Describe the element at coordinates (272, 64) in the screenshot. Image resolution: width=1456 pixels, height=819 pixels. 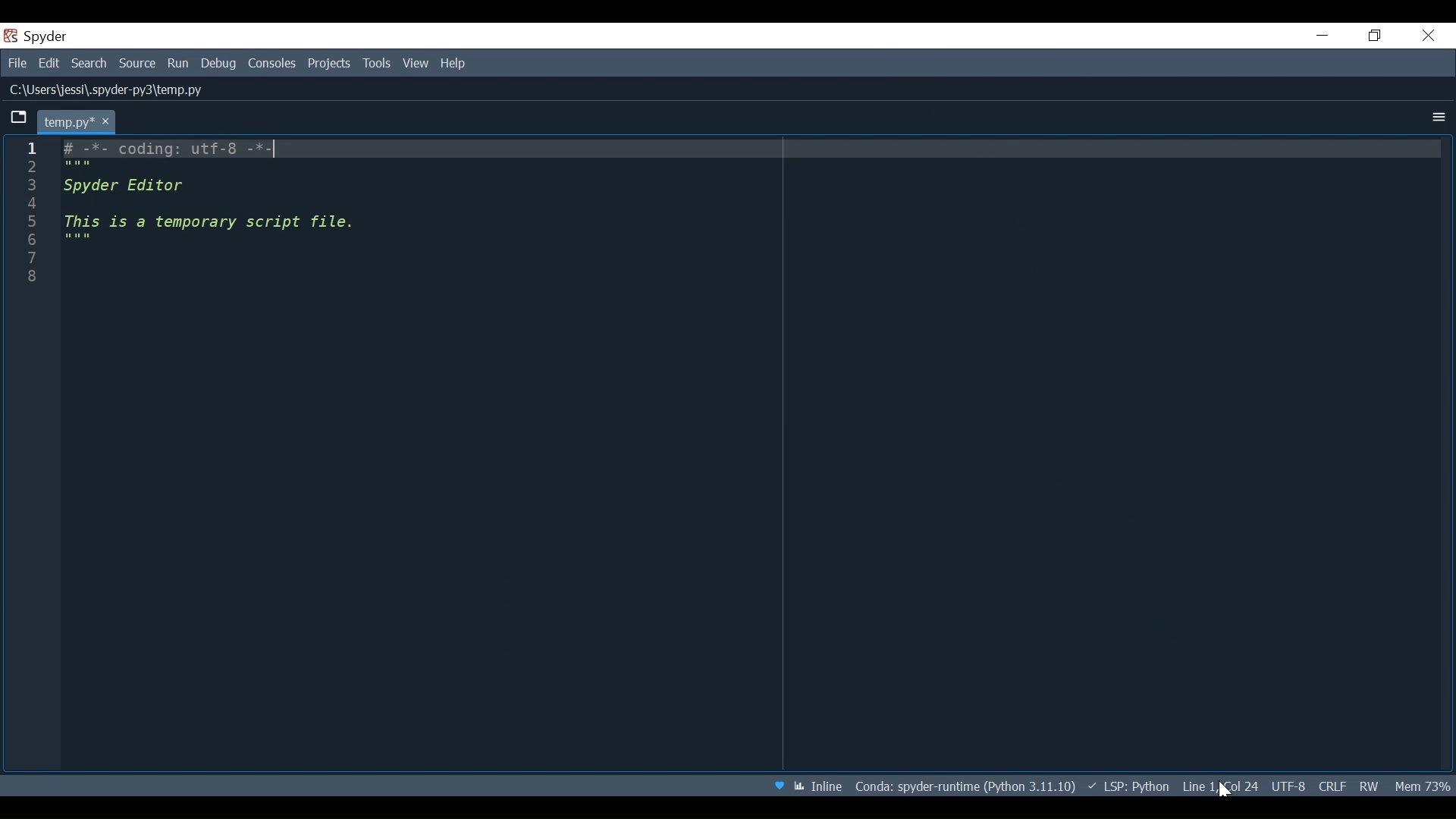
I see `Console` at that location.